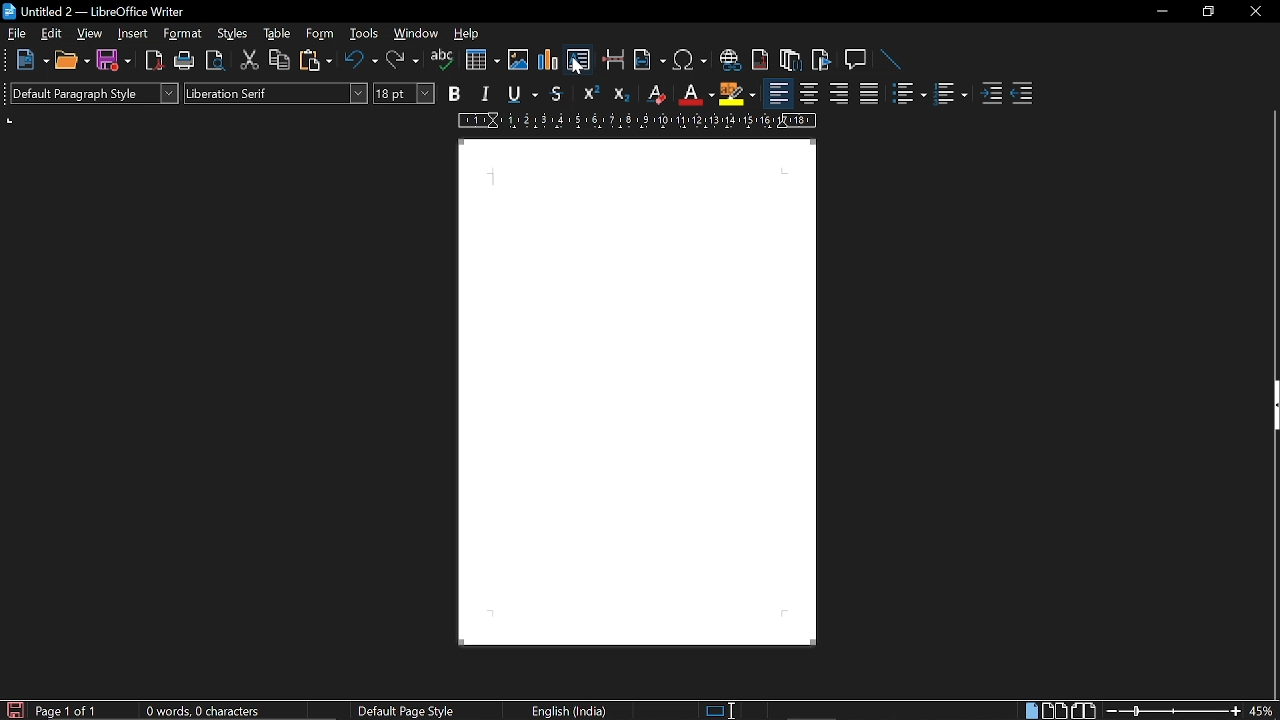  Describe the element at coordinates (406, 712) in the screenshot. I see `Default: page style` at that location.